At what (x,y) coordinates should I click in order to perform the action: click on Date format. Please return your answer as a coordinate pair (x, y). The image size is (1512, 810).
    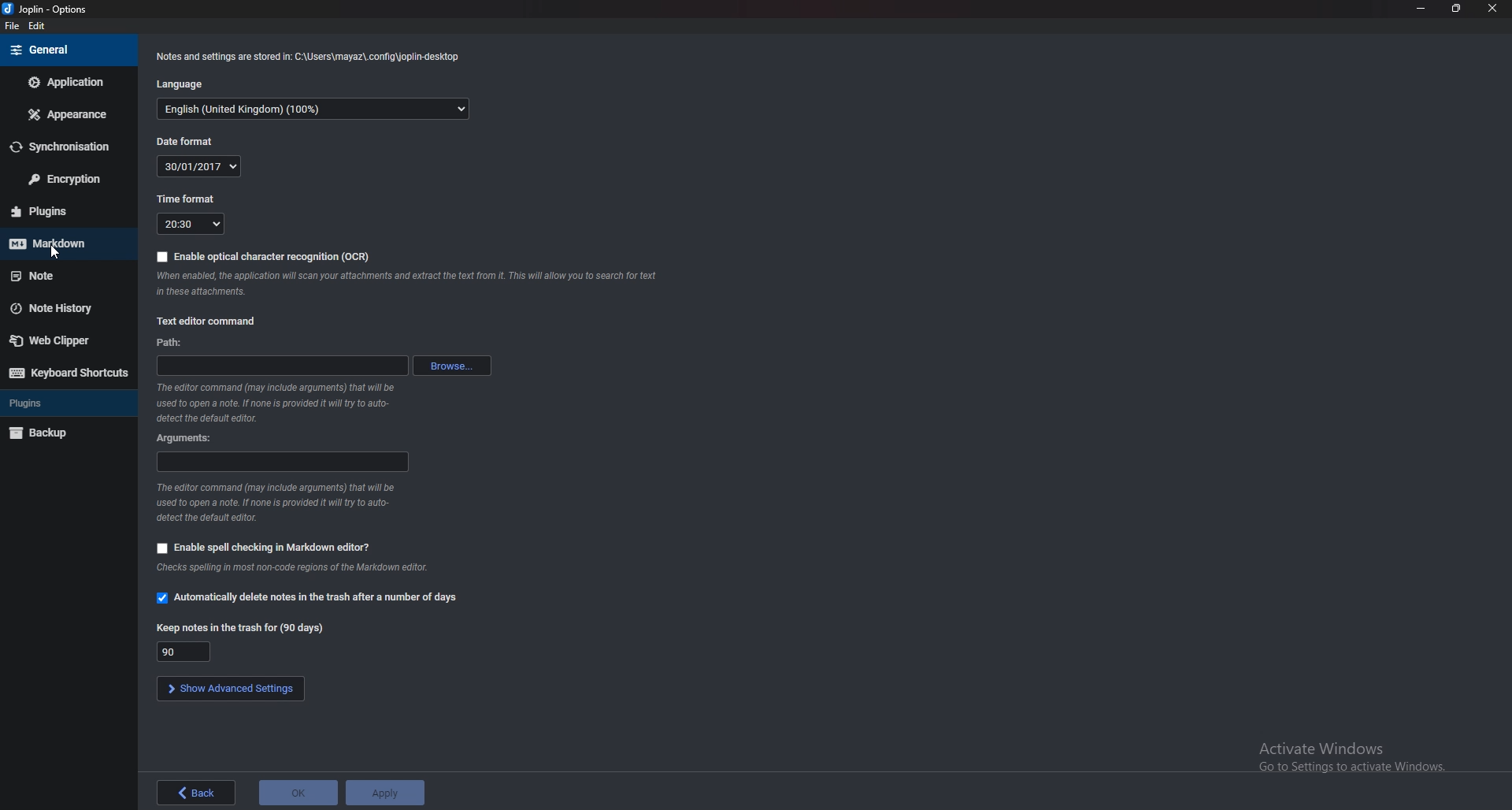
    Looking at the image, I should click on (191, 141).